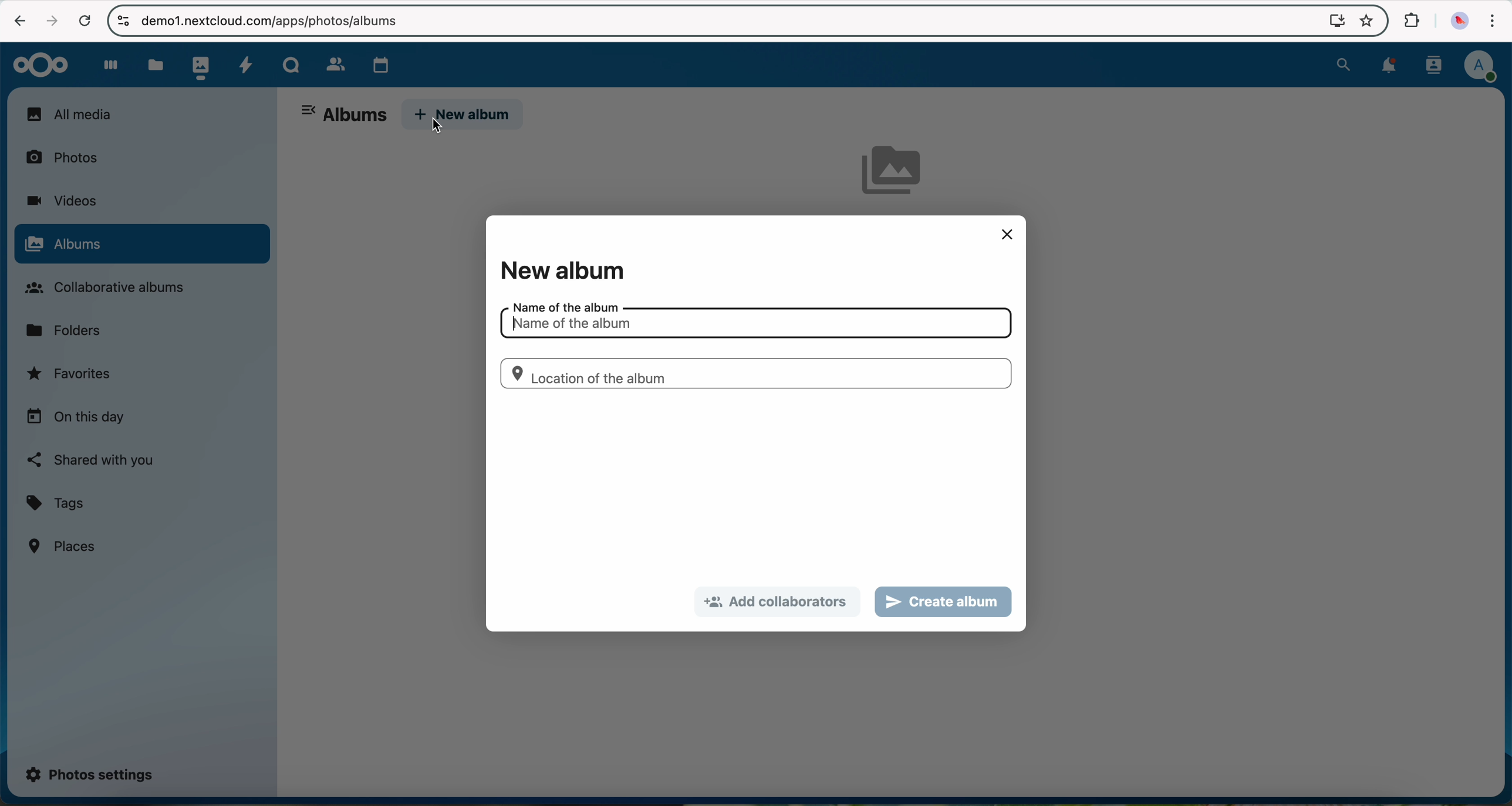 The width and height of the screenshot is (1512, 806). Describe the element at coordinates (154, 65) in the screenshot. I see `files` at that location.